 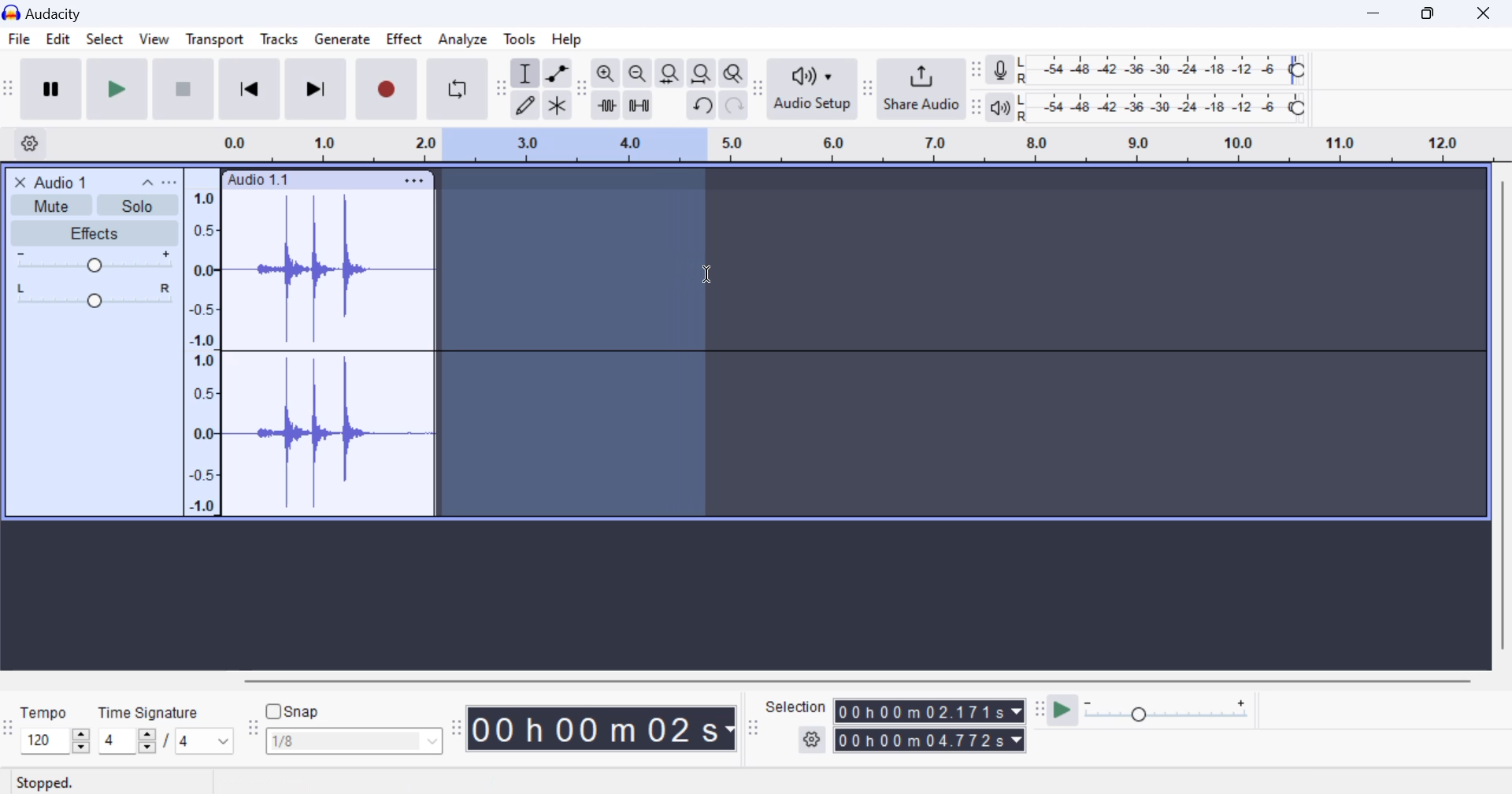 I want to click on increase or decrease tempo, so click(x=54, y=740).